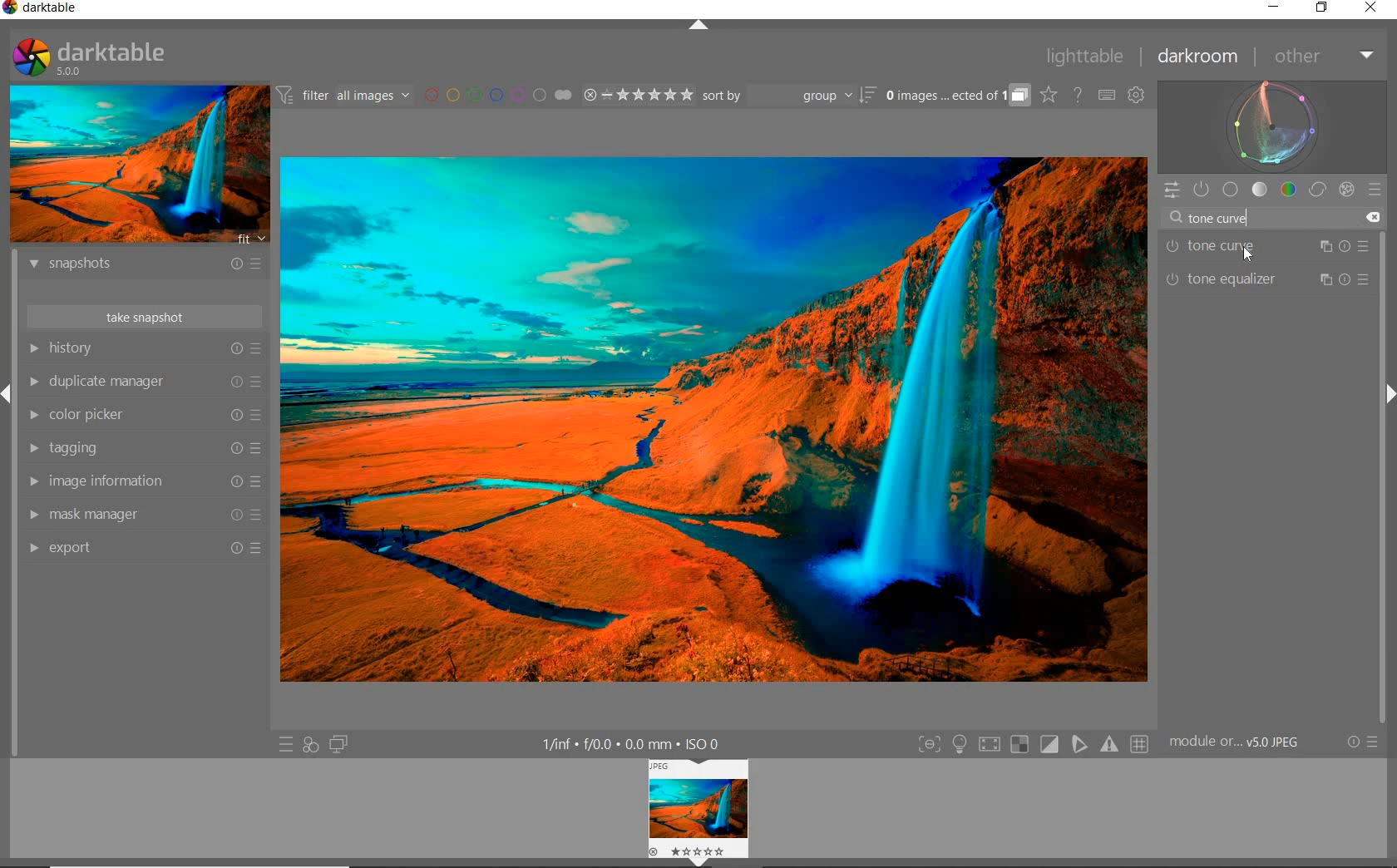 The height and width of the screenshot is (868, 1397). What do you see at coordinates (1320, 56) in the screenshot?
I see `other` at bounding box center [1320, 56].